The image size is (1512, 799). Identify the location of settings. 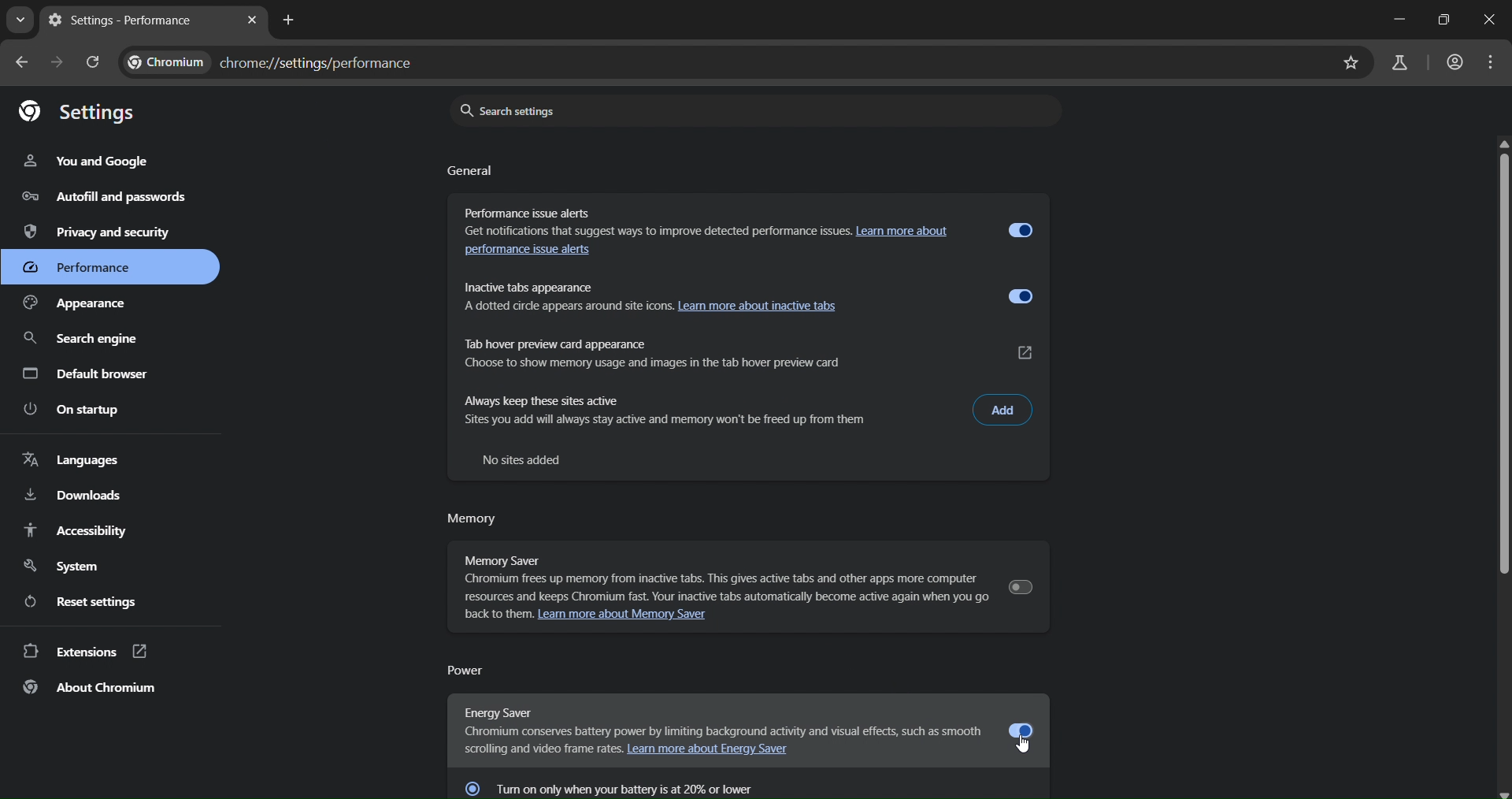
(78, 111).